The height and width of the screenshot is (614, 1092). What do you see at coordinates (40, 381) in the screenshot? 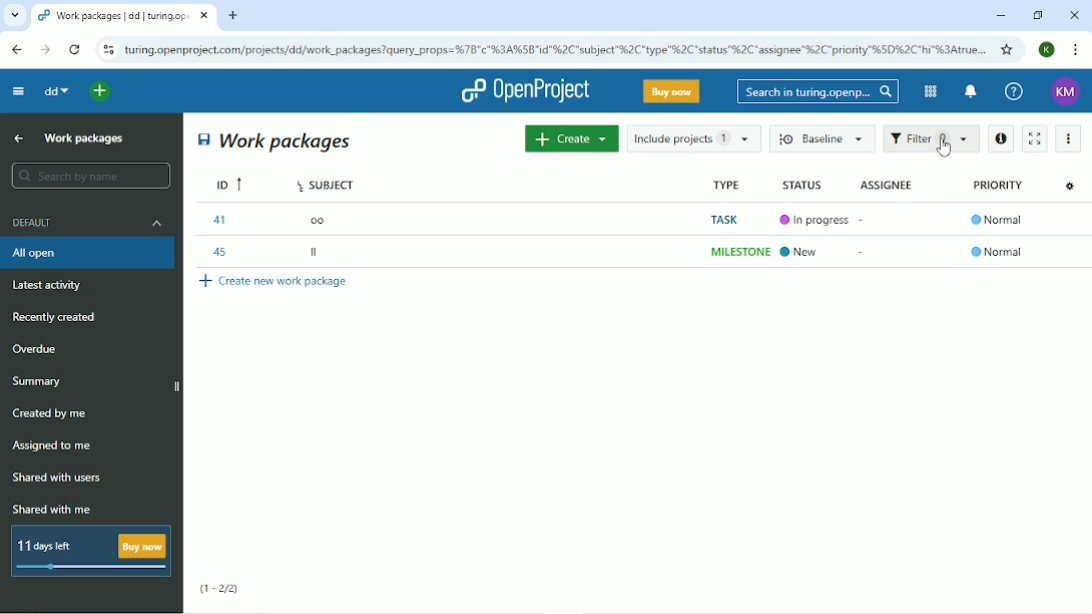
I see `Summary` at bounding box center [40, 381].